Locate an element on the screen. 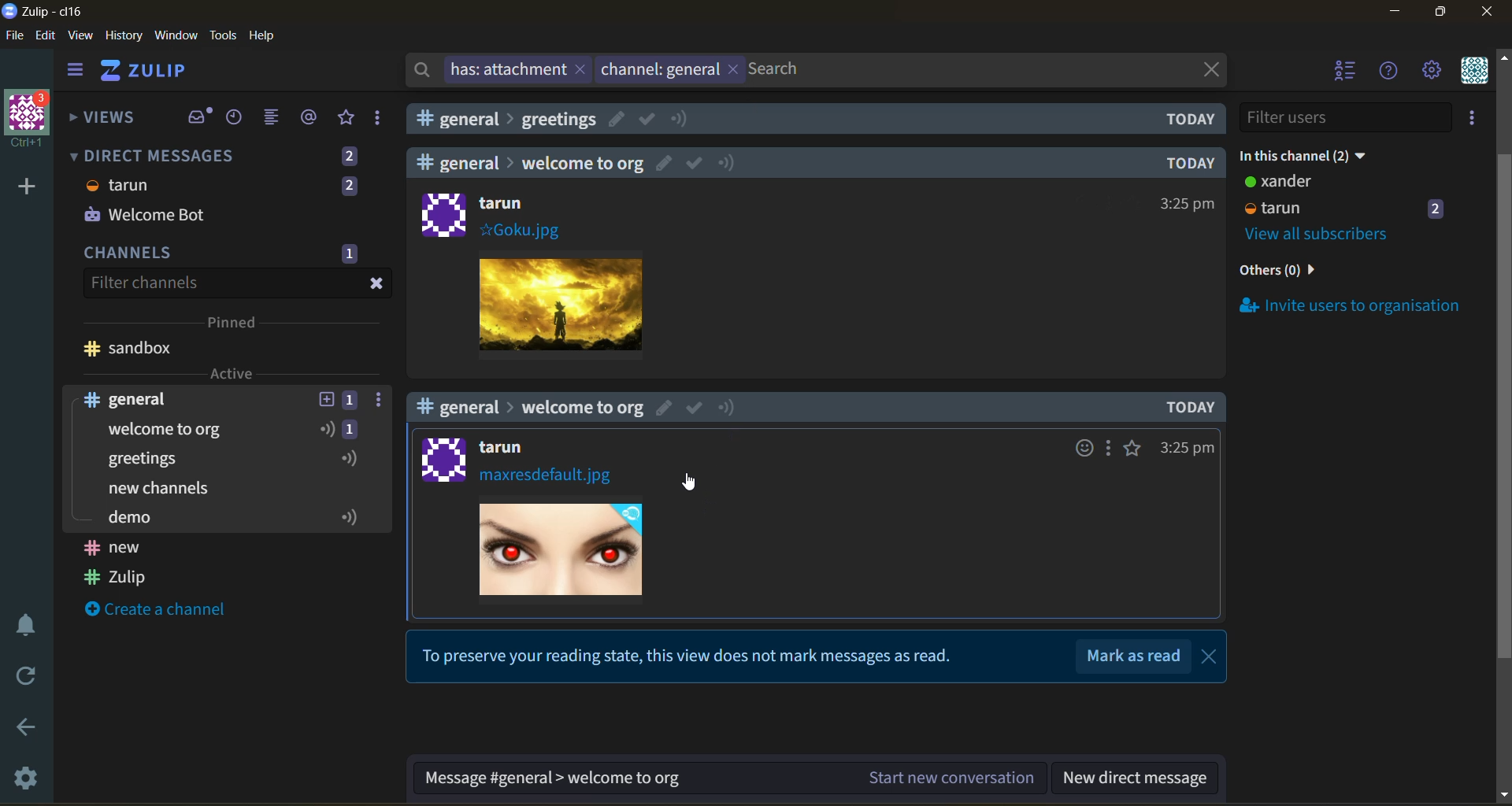 This screenshot has height=806, width=1512. Image is located at coordinates (561, 301).